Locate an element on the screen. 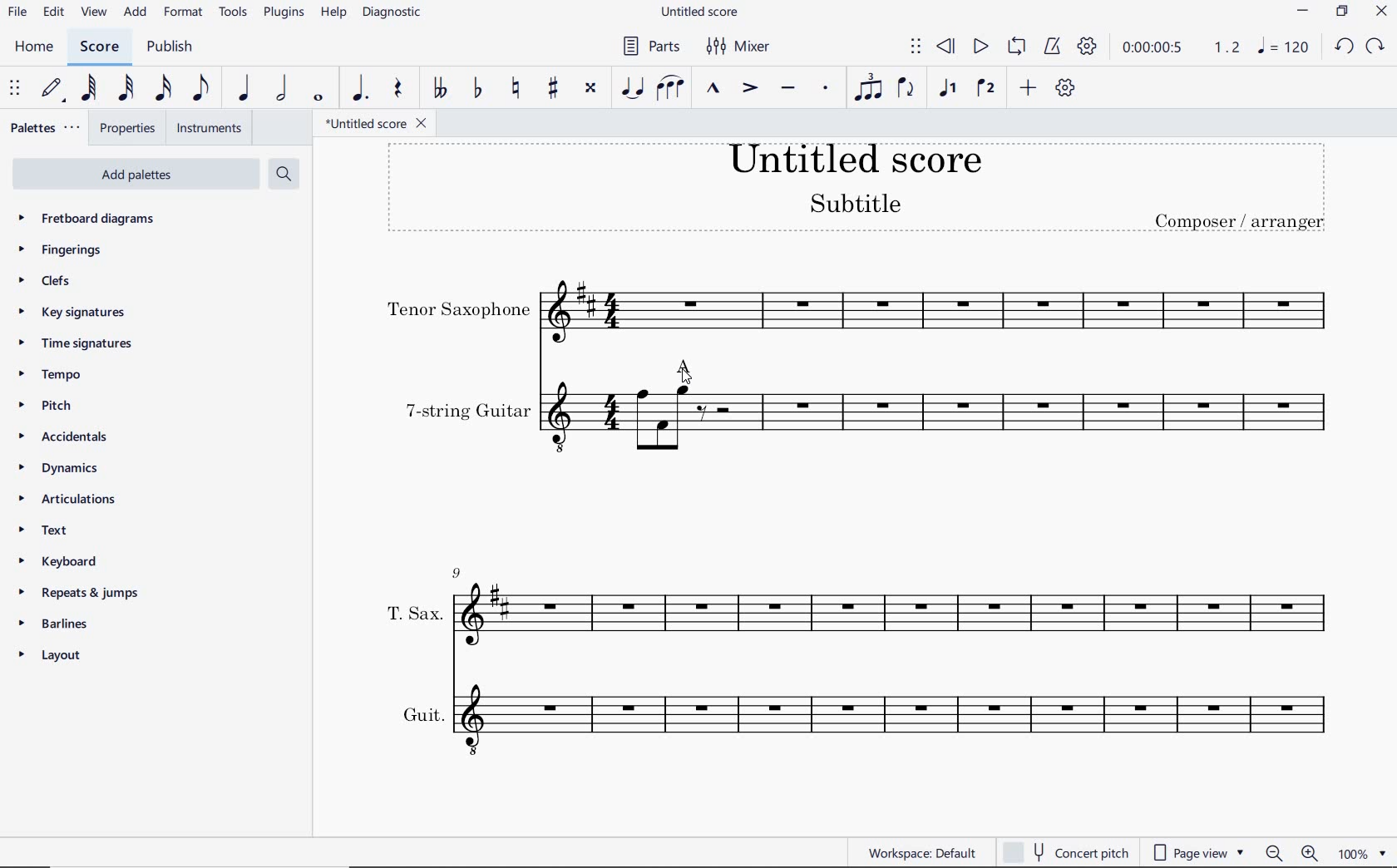  LAYOUT is located at coordinates (61, 657).